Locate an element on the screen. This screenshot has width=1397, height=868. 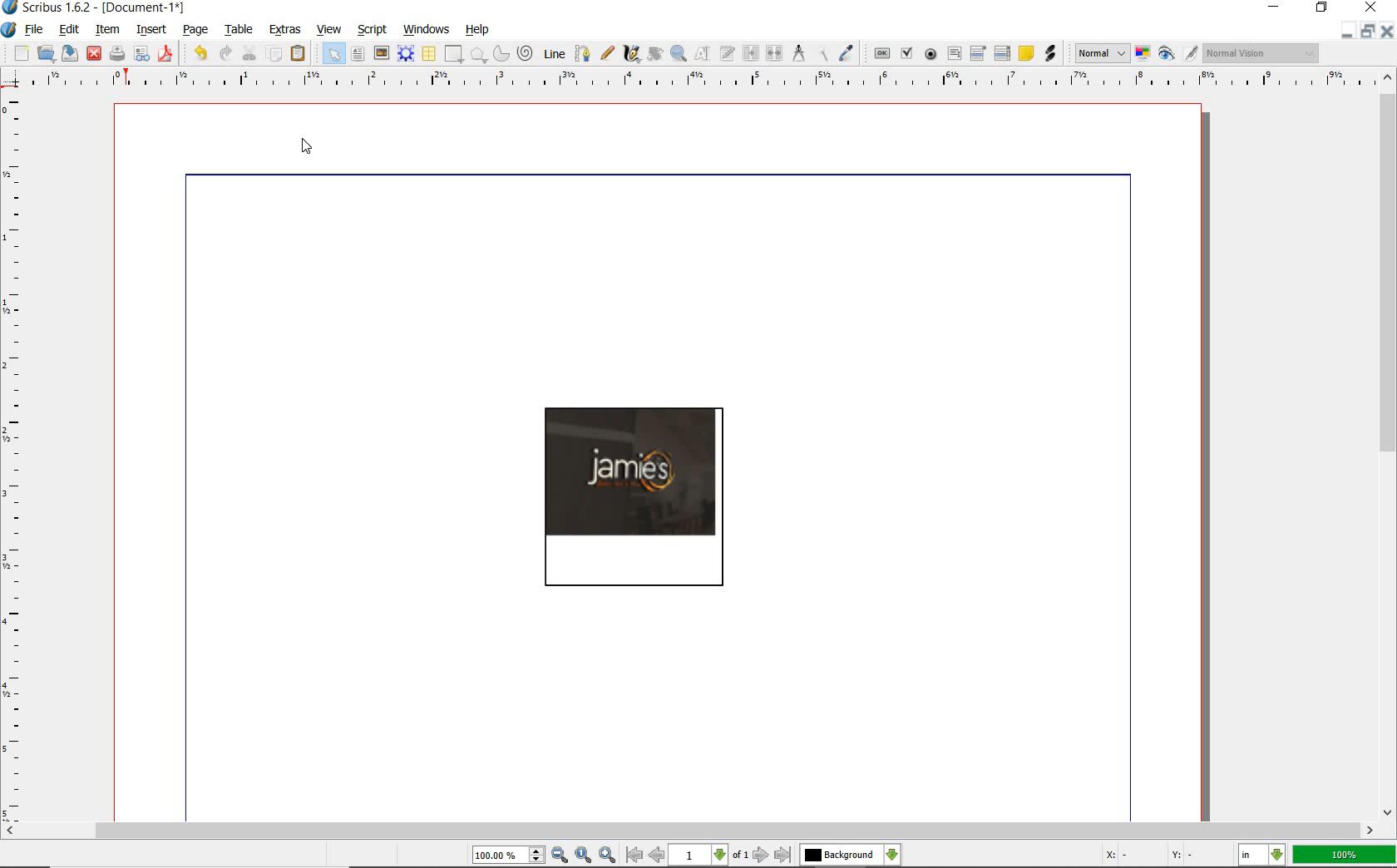
Cursor Position is located at coordinates (308, 145).